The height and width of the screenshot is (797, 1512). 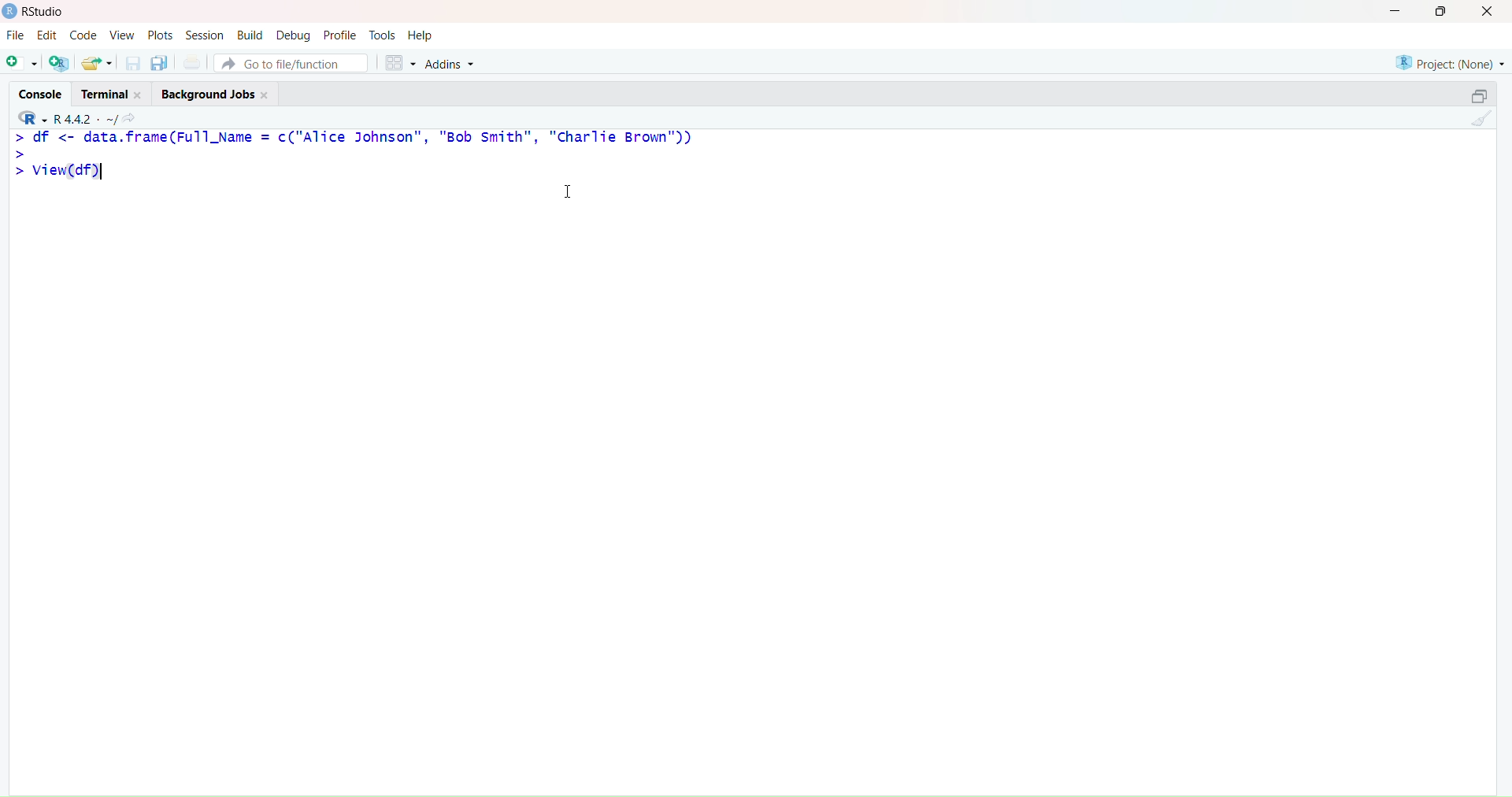 What do you see at coordinates (220, 93) in the screenshot?
I see `Background Jobs` at bounding box center [220, 93].